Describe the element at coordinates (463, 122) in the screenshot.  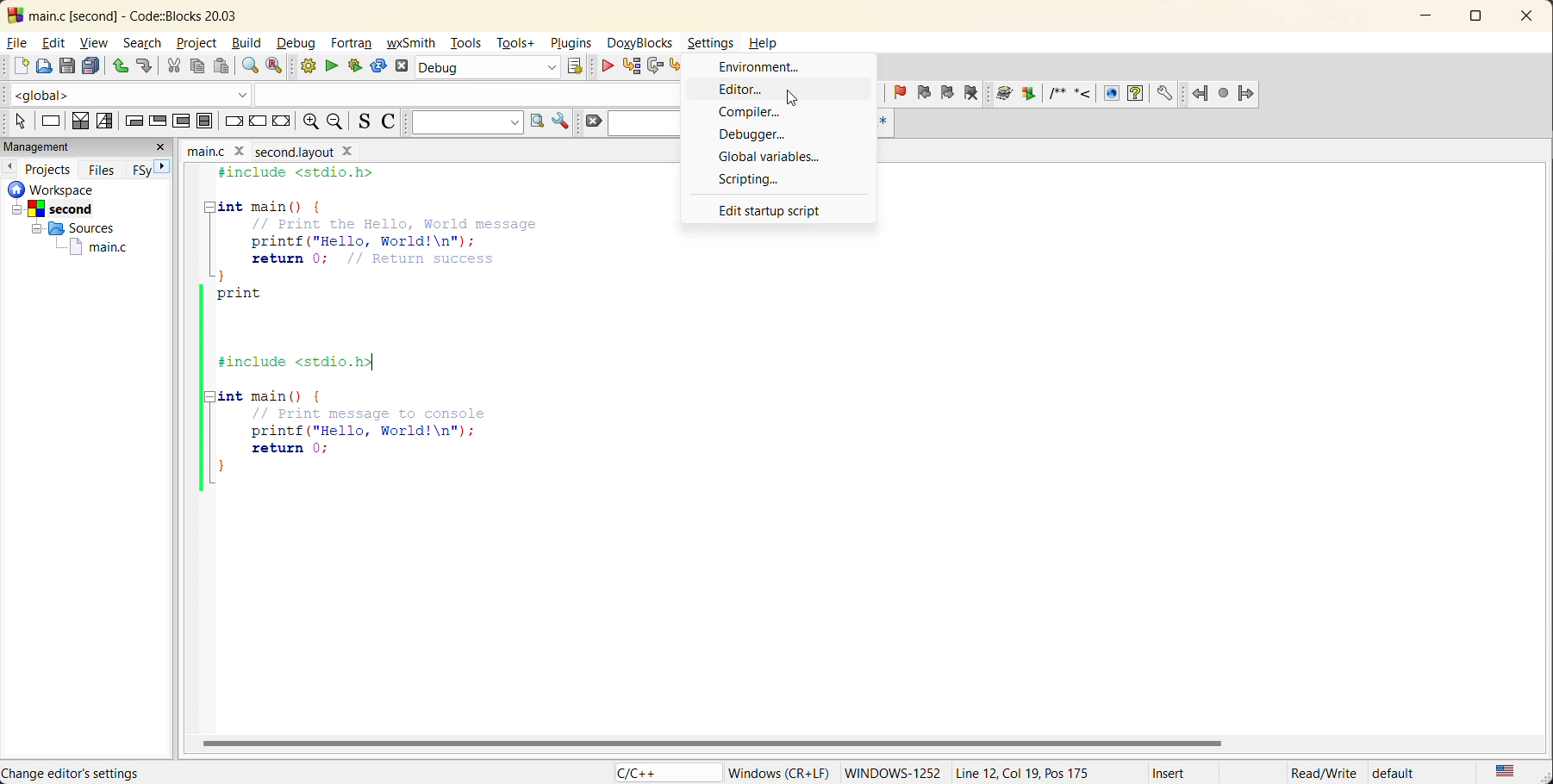
I see `text to search` at that location.